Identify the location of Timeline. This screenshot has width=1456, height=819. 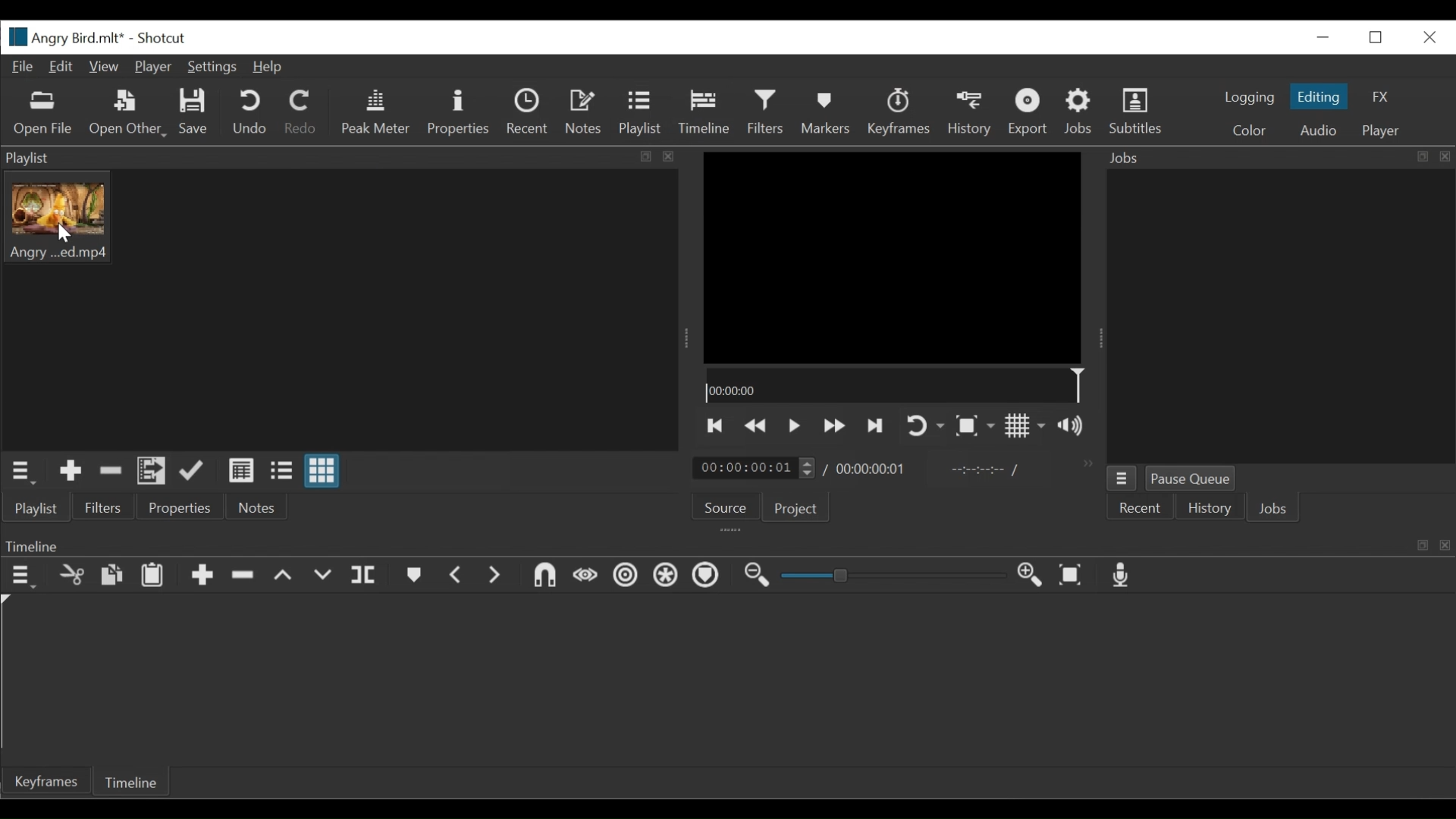
(897, 388).